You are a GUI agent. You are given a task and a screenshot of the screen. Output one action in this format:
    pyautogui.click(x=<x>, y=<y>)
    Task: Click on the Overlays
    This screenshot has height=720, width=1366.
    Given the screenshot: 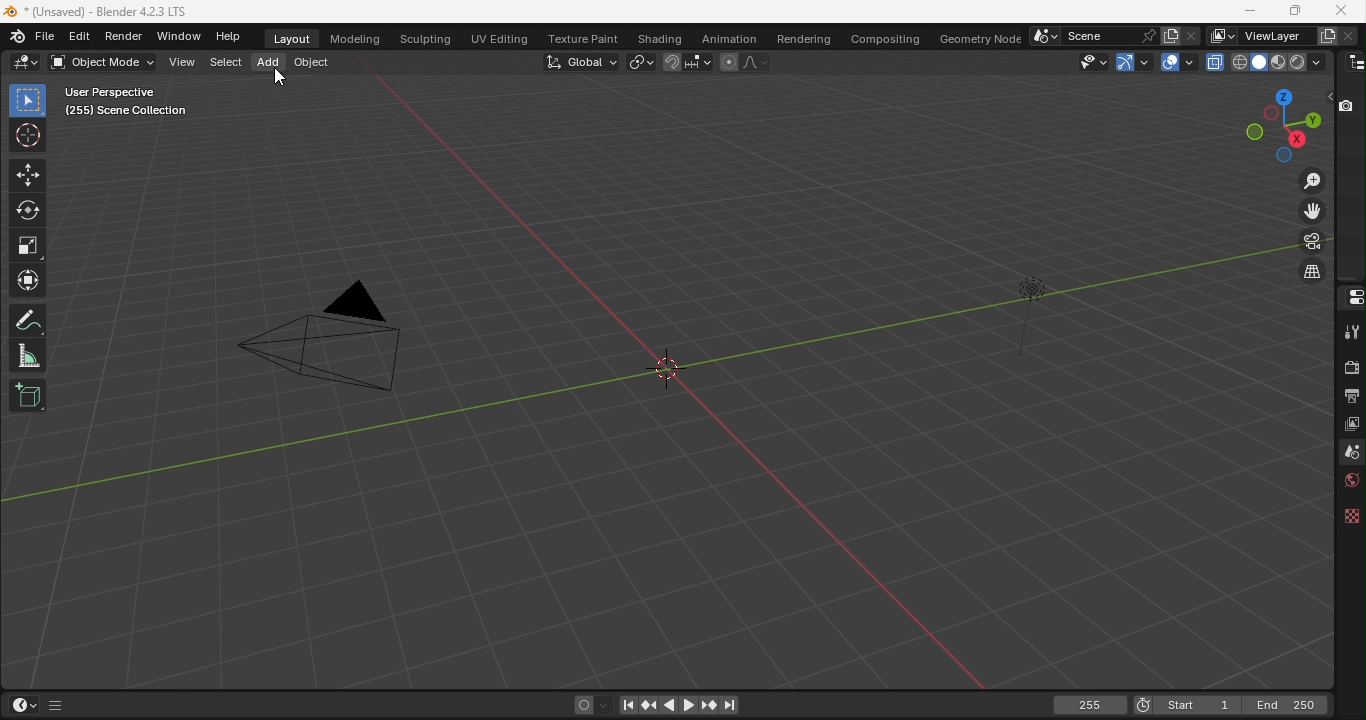 What is the action you would take?
    pyautogui.click(x=1189, y=62)
    